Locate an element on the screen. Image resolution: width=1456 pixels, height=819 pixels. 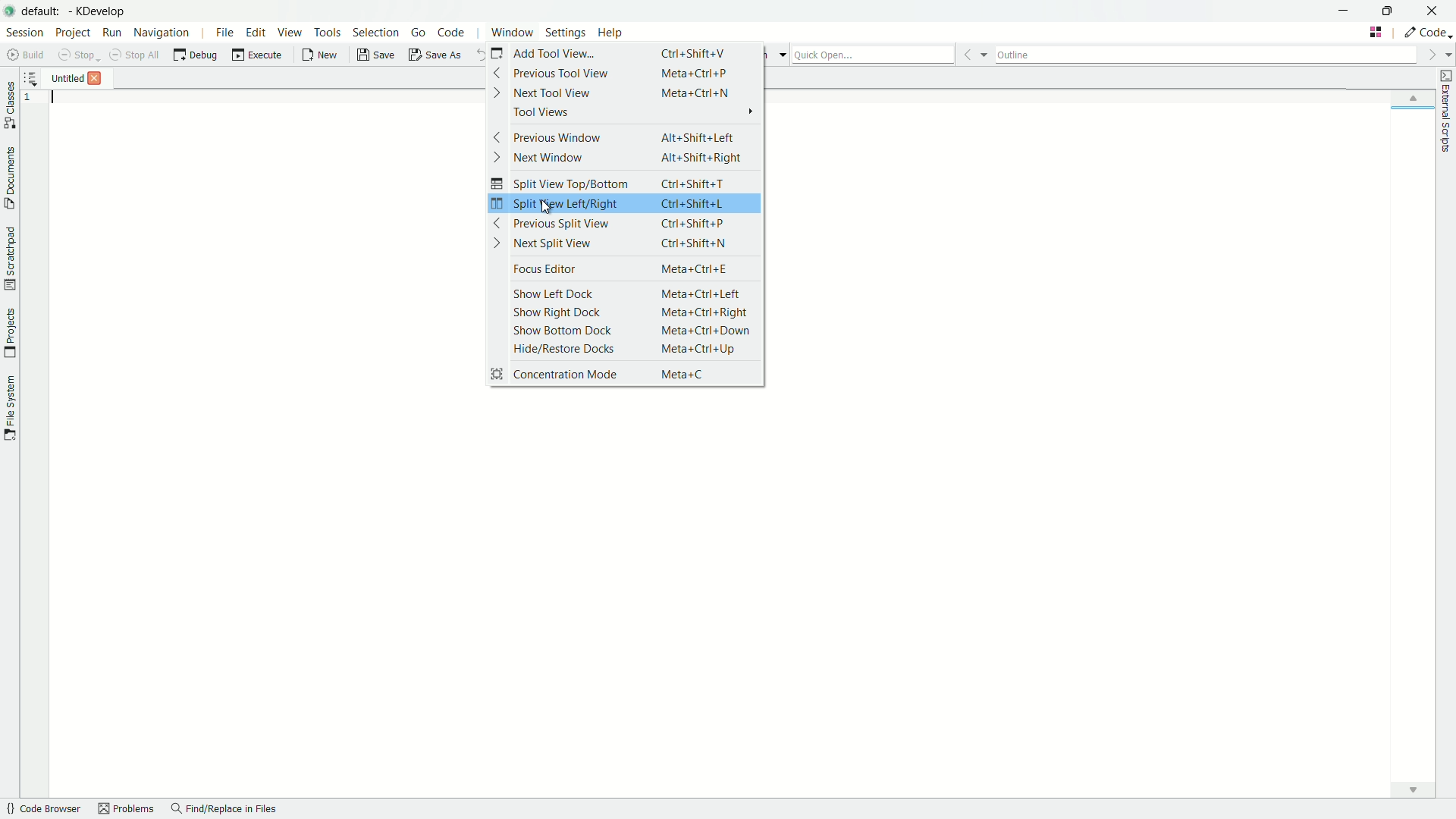
split view left/right is located at coordinates (558, 203).